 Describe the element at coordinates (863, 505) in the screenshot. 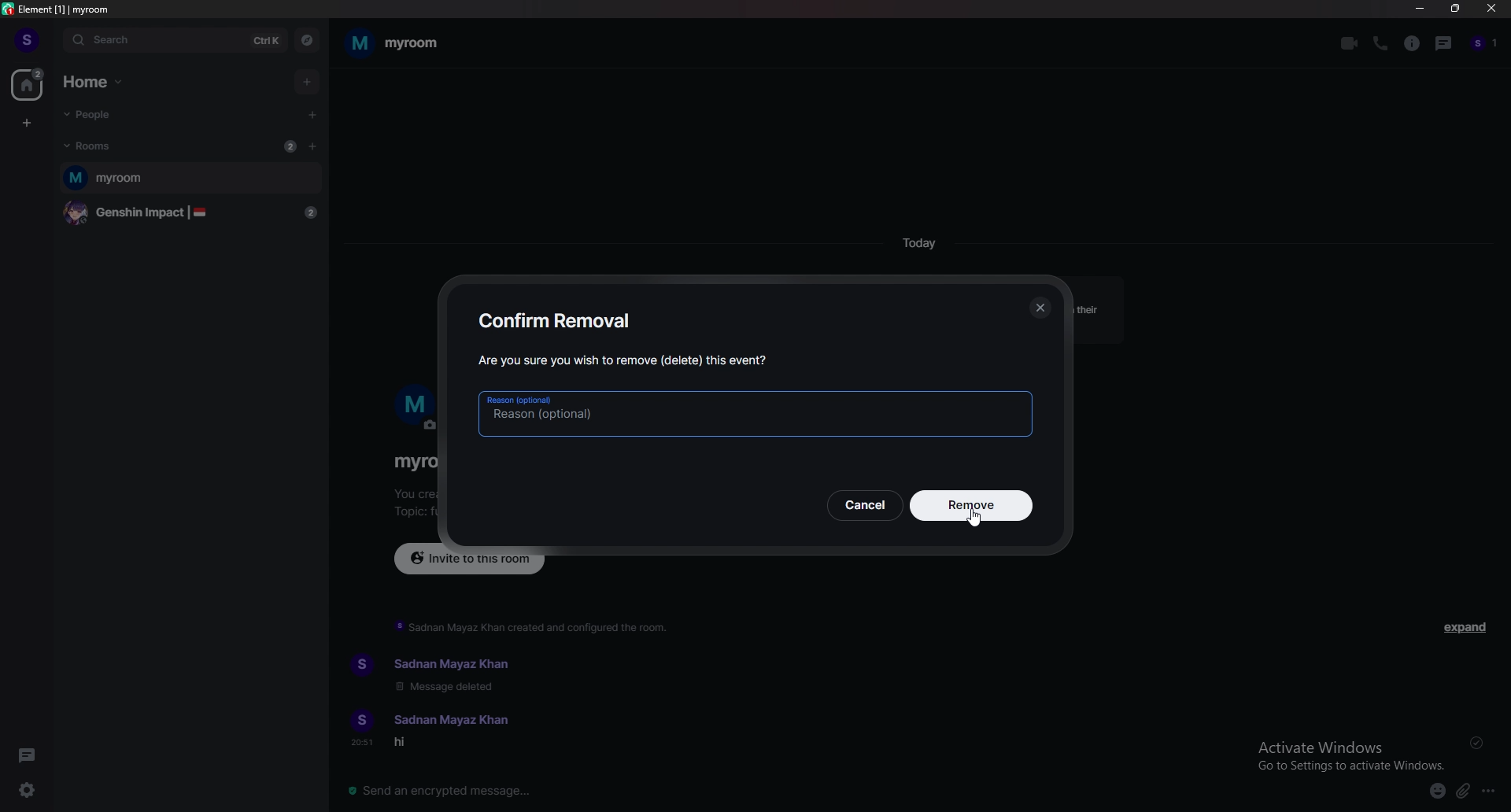

I see `cancel` at that location.